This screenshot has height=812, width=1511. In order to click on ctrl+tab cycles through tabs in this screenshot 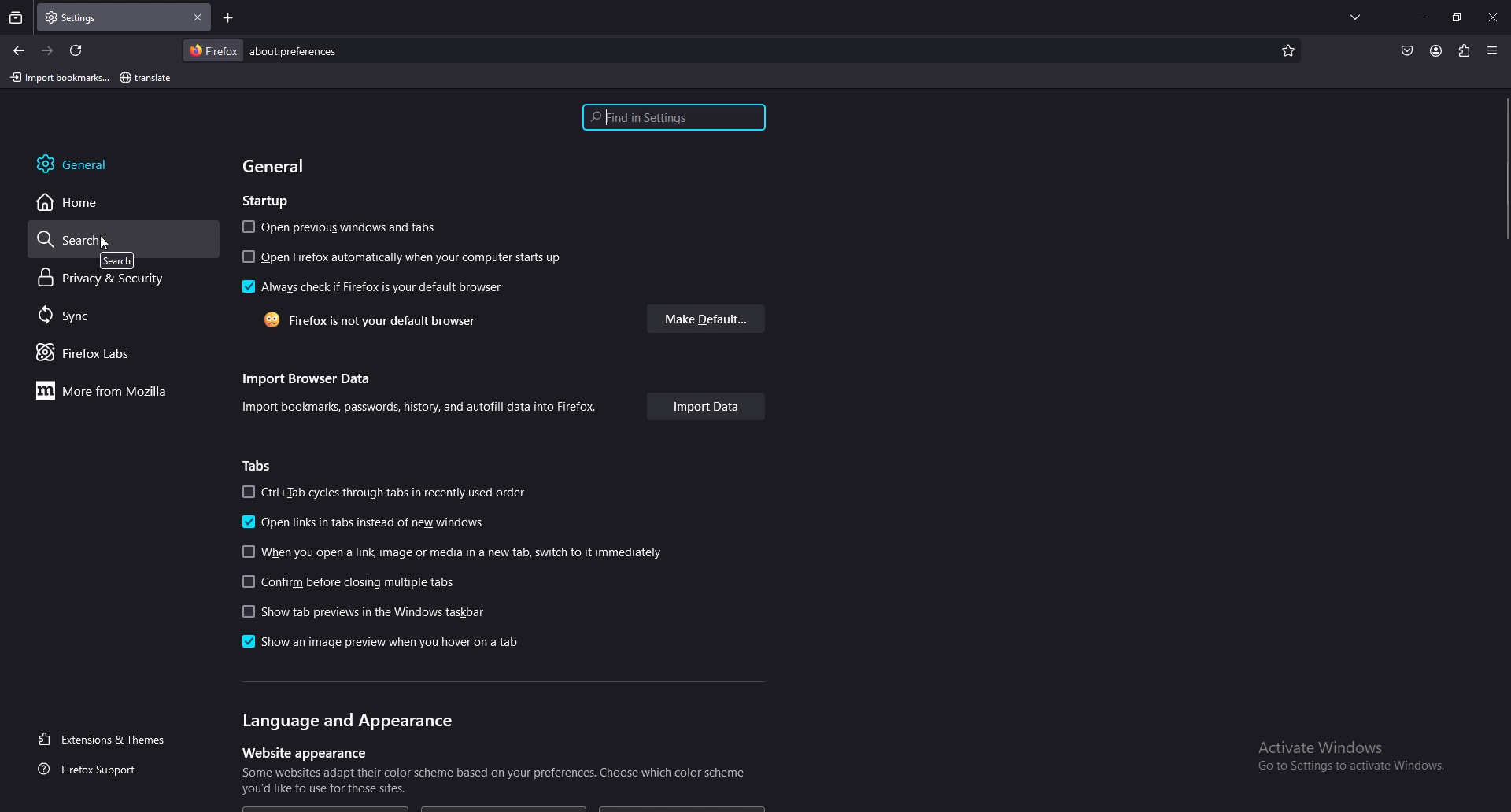, I will do `click(385, 493)`.